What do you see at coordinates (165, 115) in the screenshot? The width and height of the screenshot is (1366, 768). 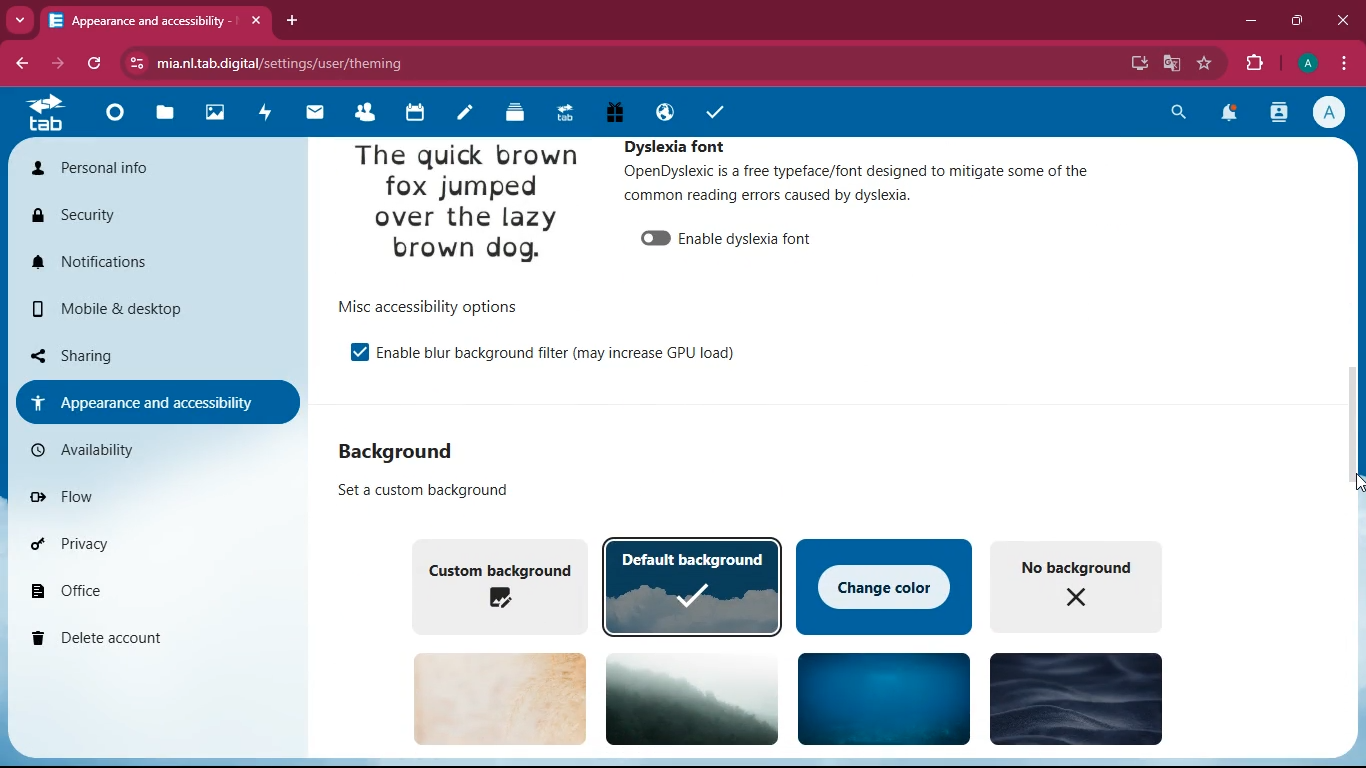 I see `files` at bounding box center [165, 115].